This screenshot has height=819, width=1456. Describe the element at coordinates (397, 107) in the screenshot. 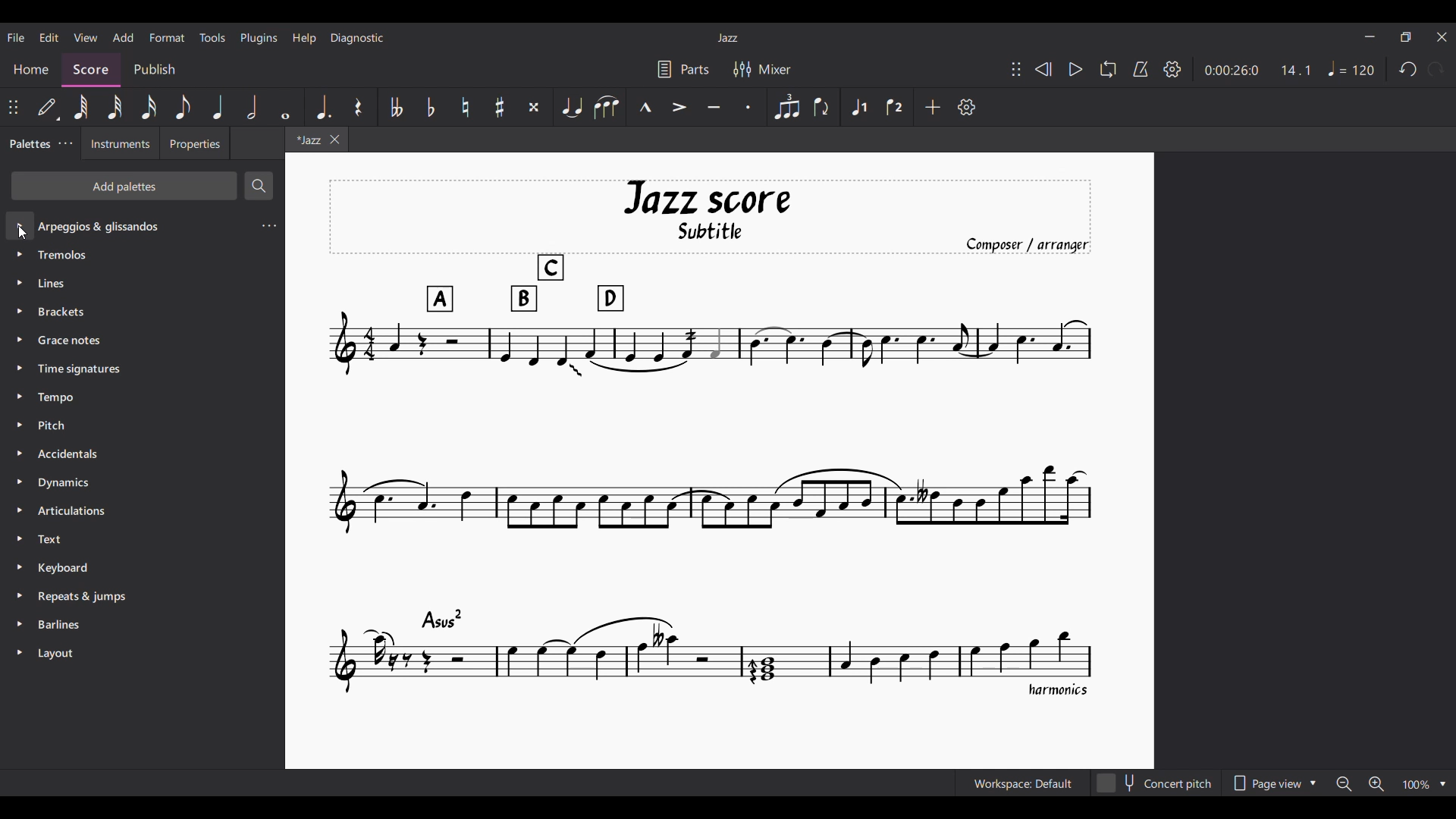

I see `Toggle double flat` at that location.